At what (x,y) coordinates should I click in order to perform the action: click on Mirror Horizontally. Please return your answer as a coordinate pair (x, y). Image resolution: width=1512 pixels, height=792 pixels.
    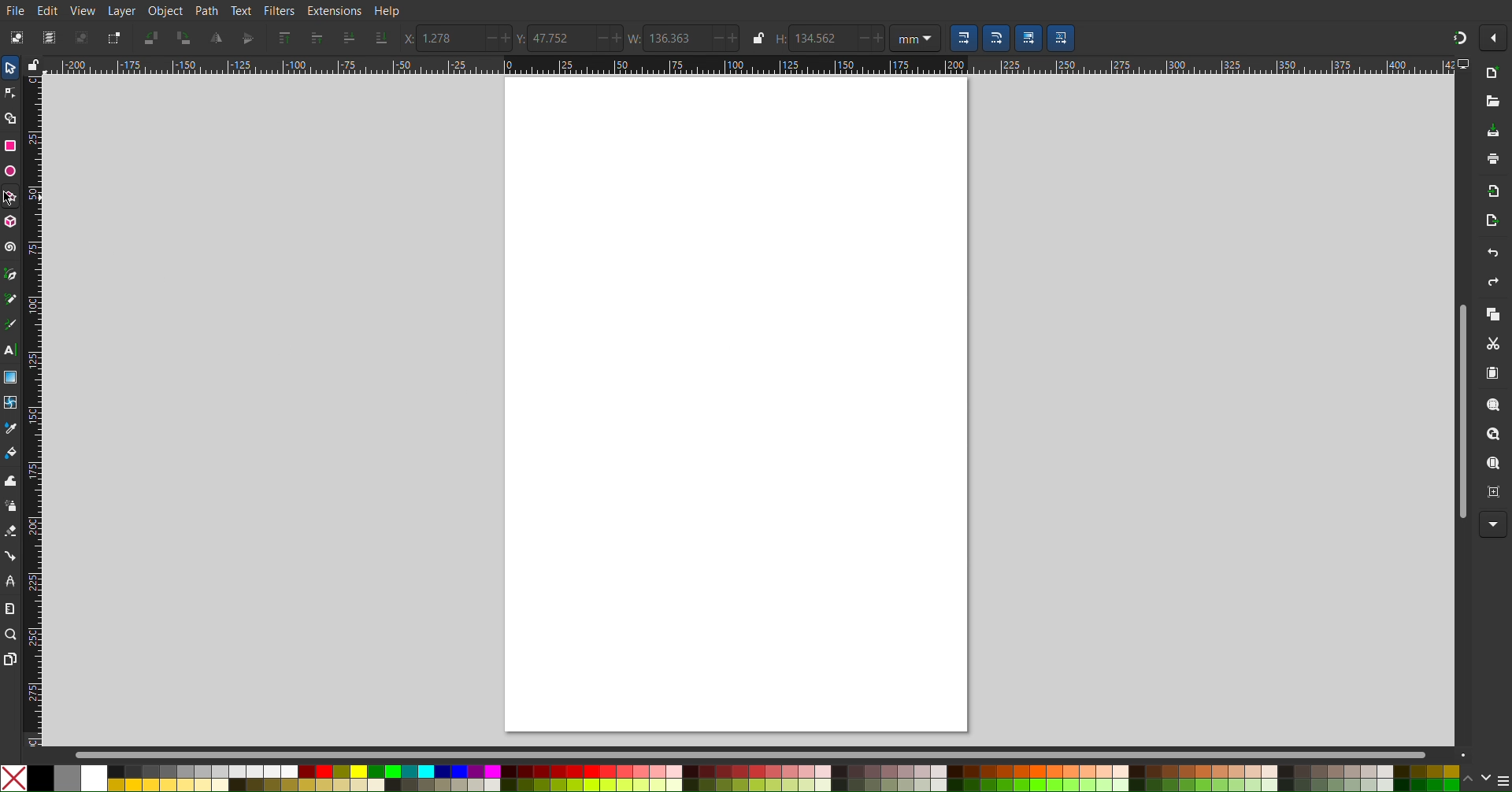
    Looking at the image, I should click on (247, 39).